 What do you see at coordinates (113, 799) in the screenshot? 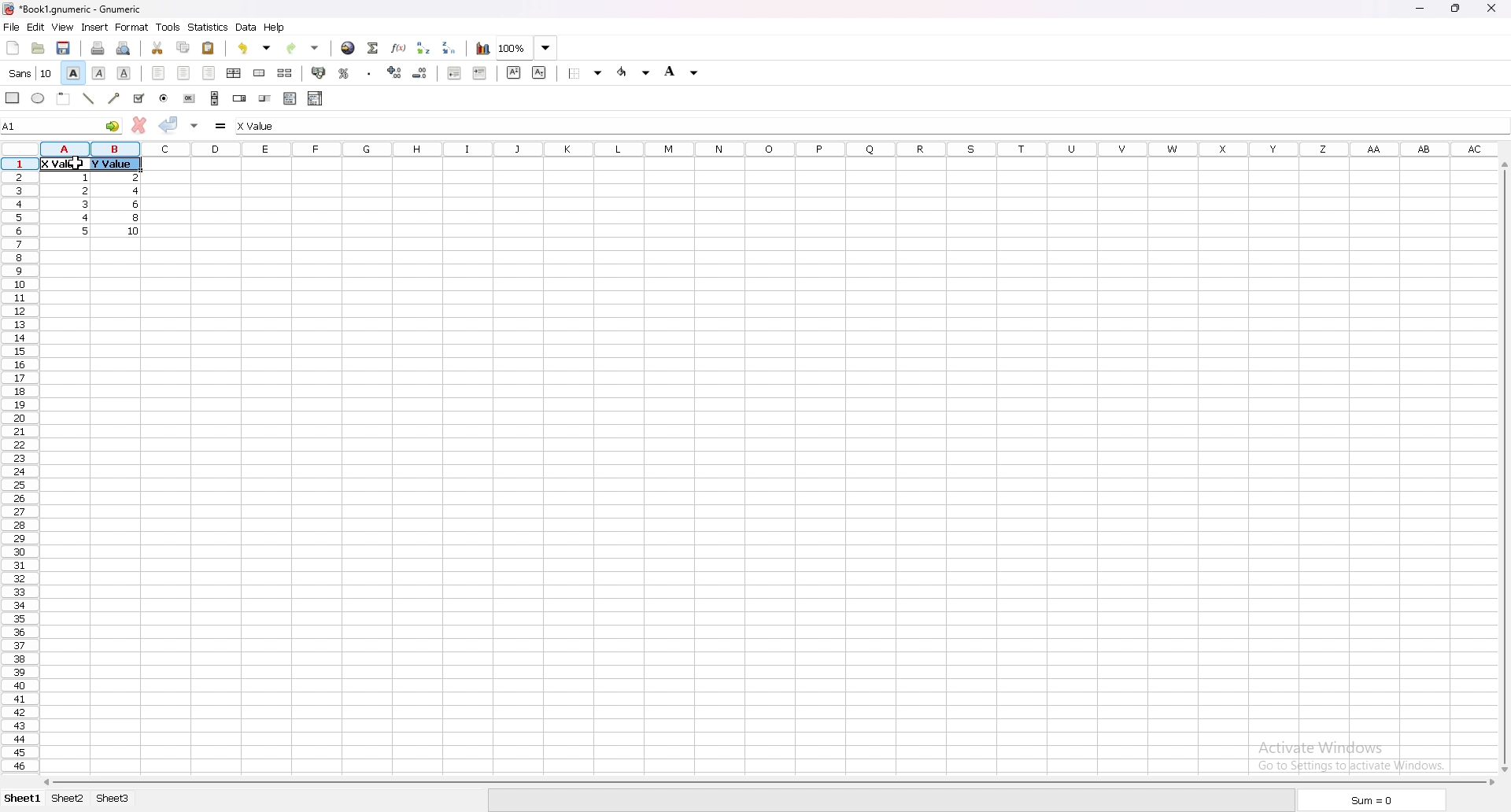
I see `sheet 3` at bounding box center [113, 799].